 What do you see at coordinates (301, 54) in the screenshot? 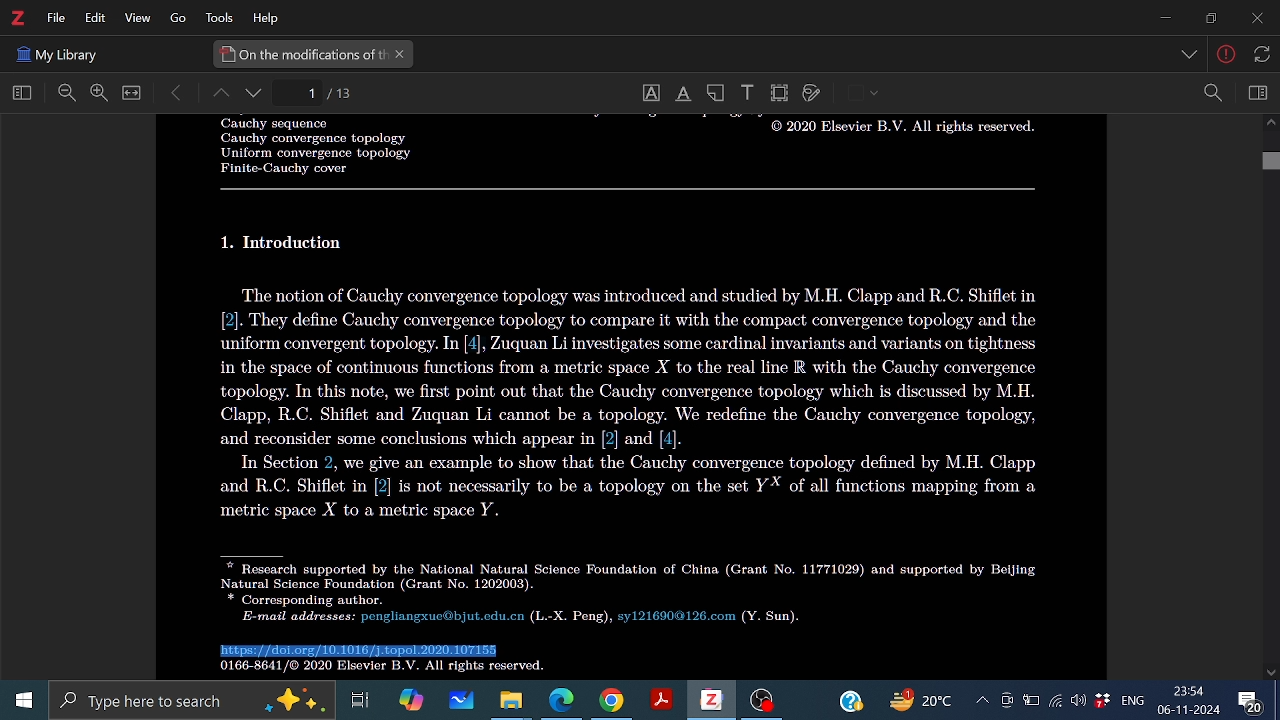
I see `Current tab` at bounding box center [301, 54].